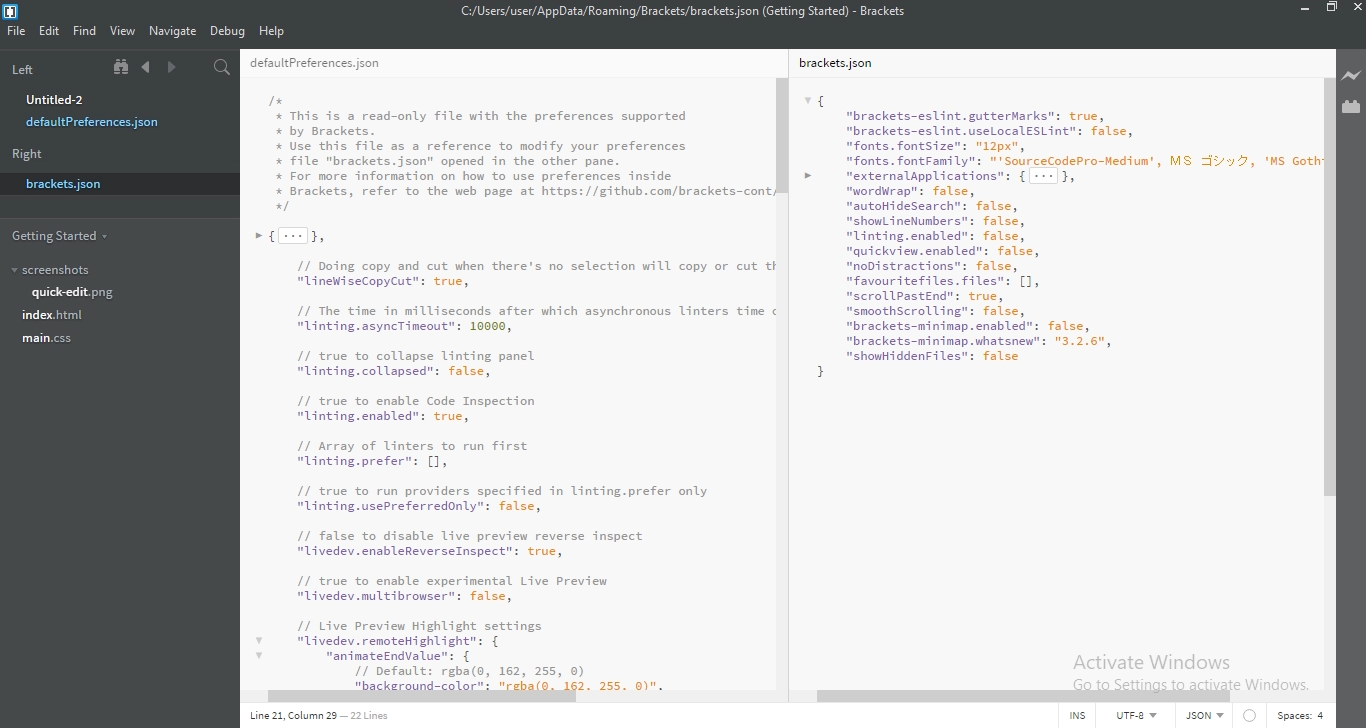 Image resolution: width=1366 pixels, height=728 pixels. I want to click on quick-edit.png, so click(74, 292).